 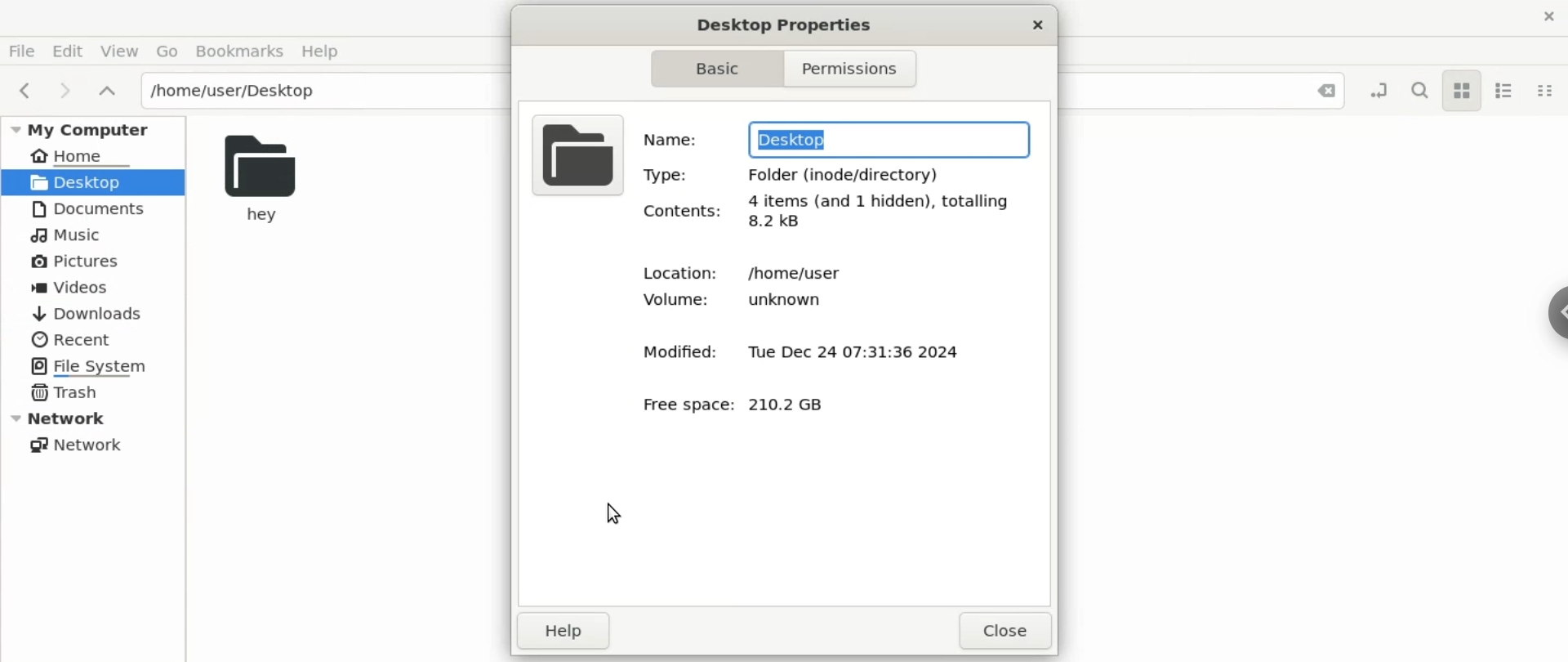 I want to click on icon view, so click(x=1463, y=93).